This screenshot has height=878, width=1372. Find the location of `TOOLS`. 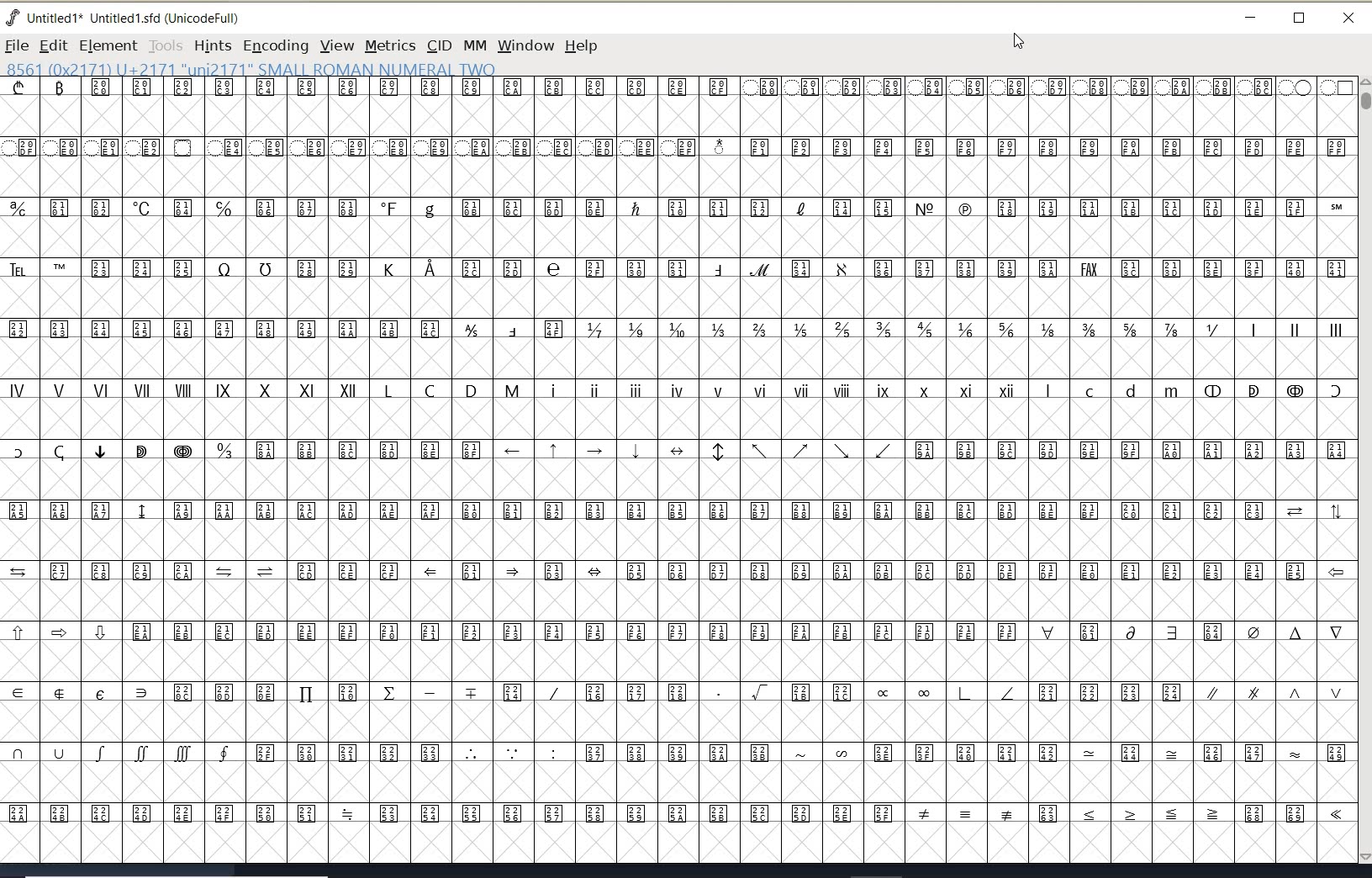

TOOLS is located at coordinates (165, 45).